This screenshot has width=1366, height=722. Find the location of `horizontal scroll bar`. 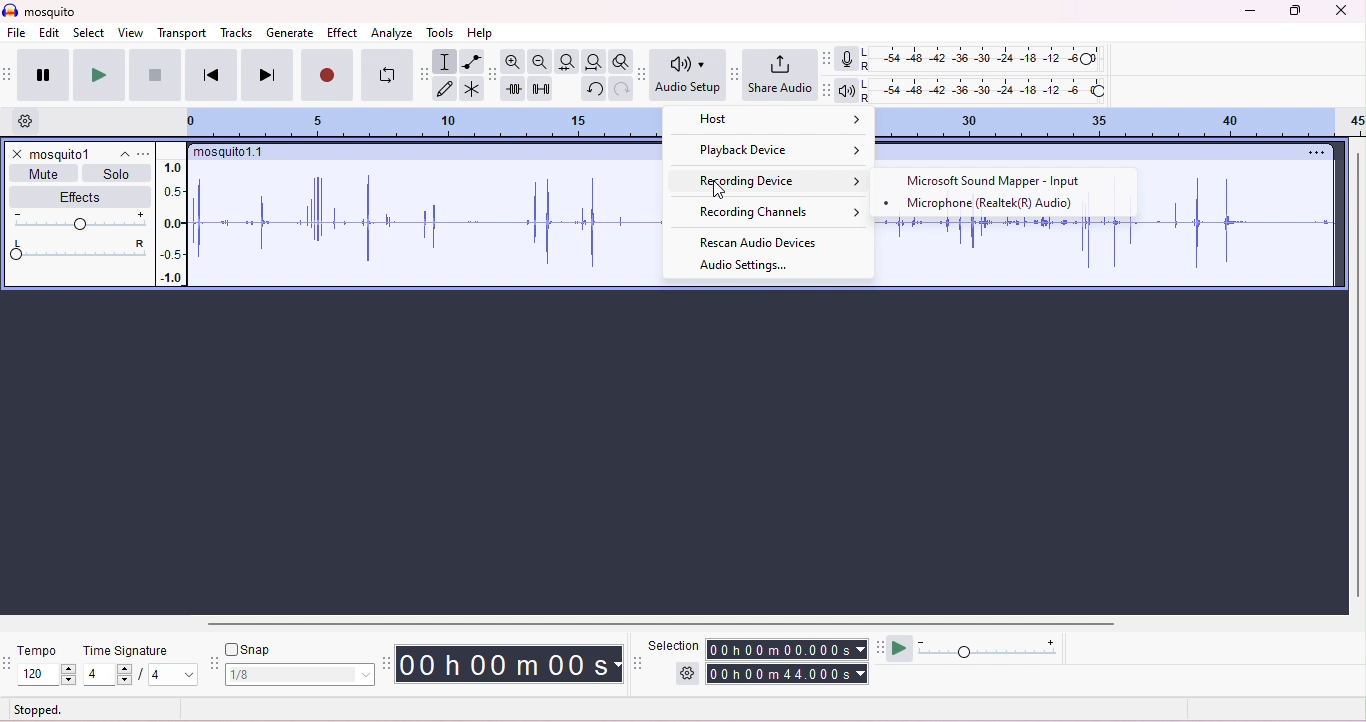

horizontal scroll bar is located at coordinates (661, 624).